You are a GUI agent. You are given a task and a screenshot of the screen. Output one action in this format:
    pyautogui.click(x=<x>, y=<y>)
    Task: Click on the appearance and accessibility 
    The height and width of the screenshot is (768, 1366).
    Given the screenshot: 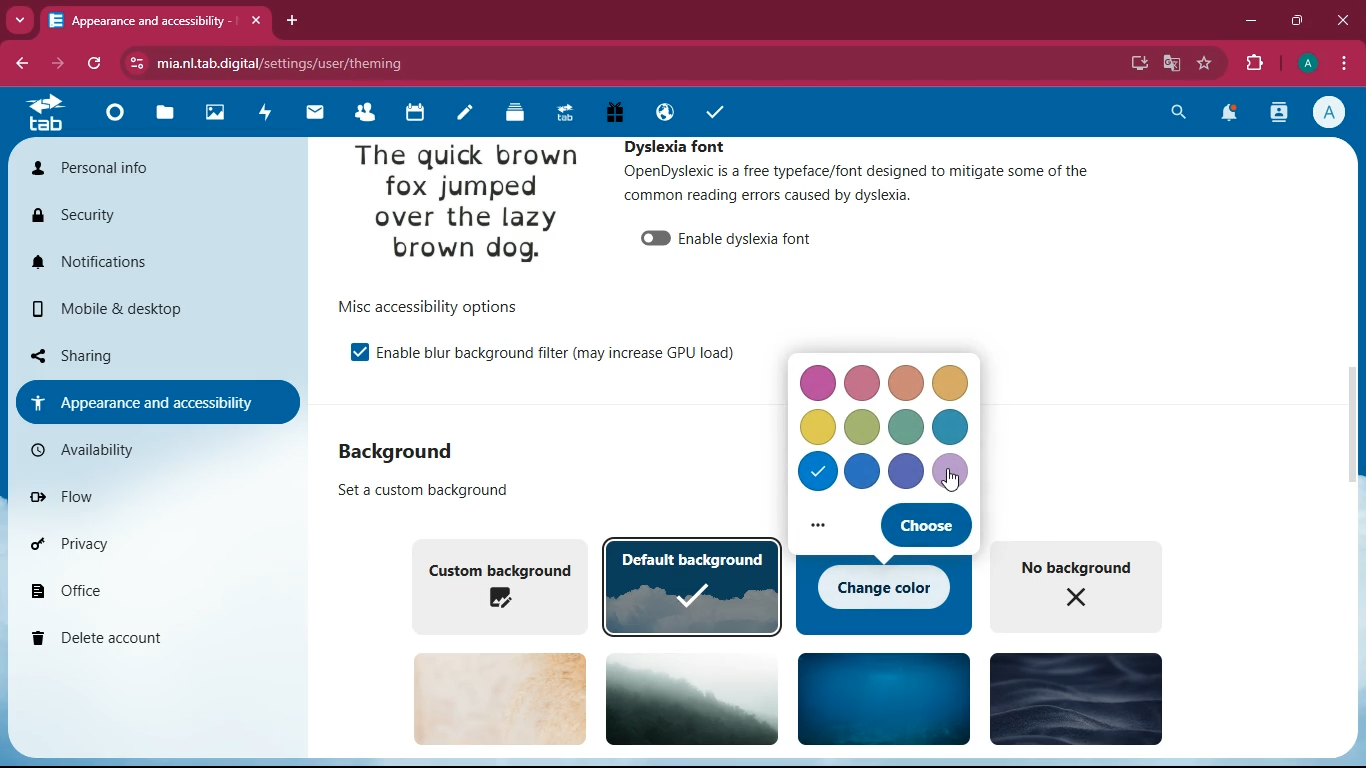 What is the action you would take?
    pyautogui.click(x=155, y=401)
    